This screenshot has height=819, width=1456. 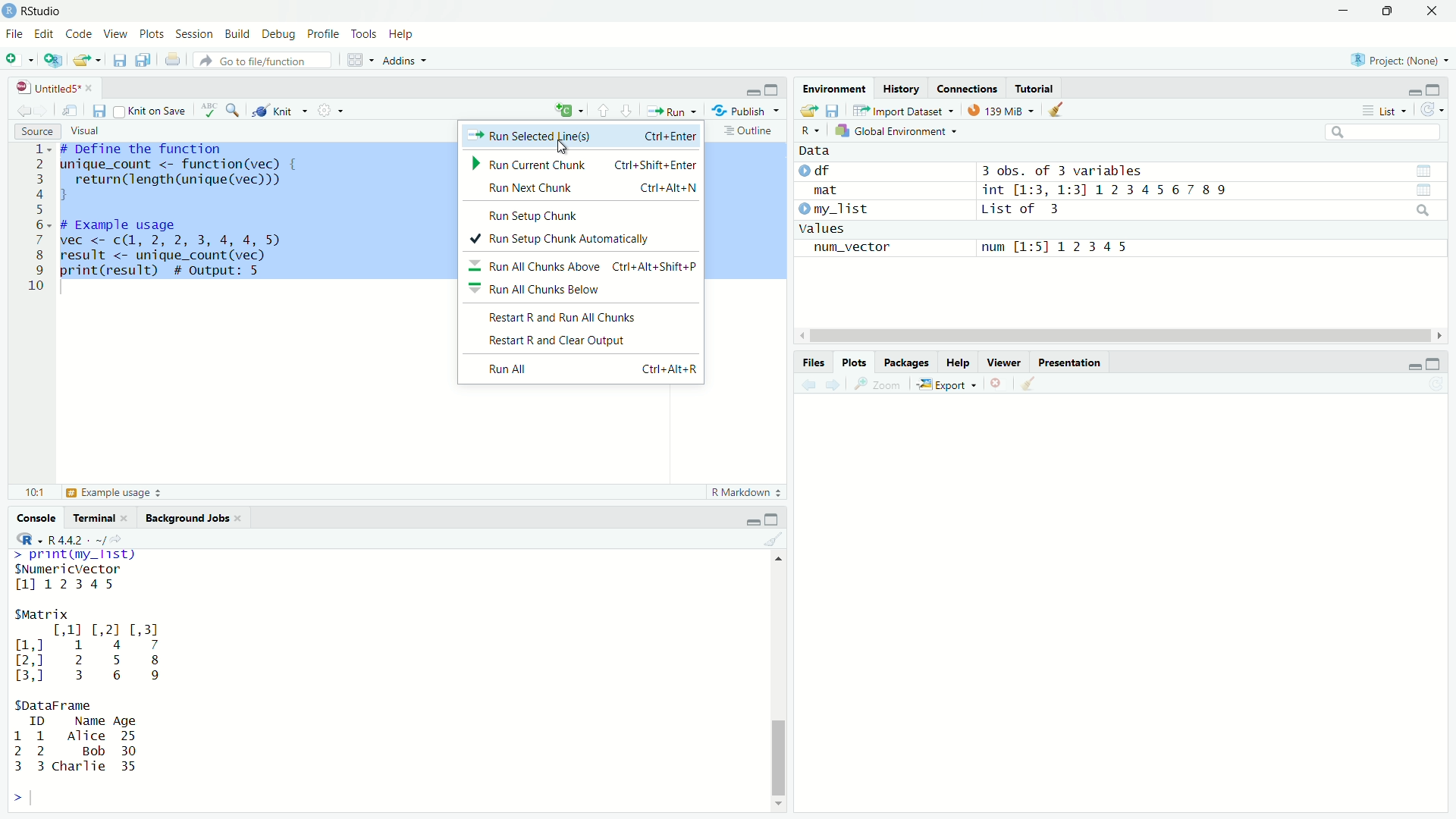 I want to click on R Markdown, so click(x=742, y=494).